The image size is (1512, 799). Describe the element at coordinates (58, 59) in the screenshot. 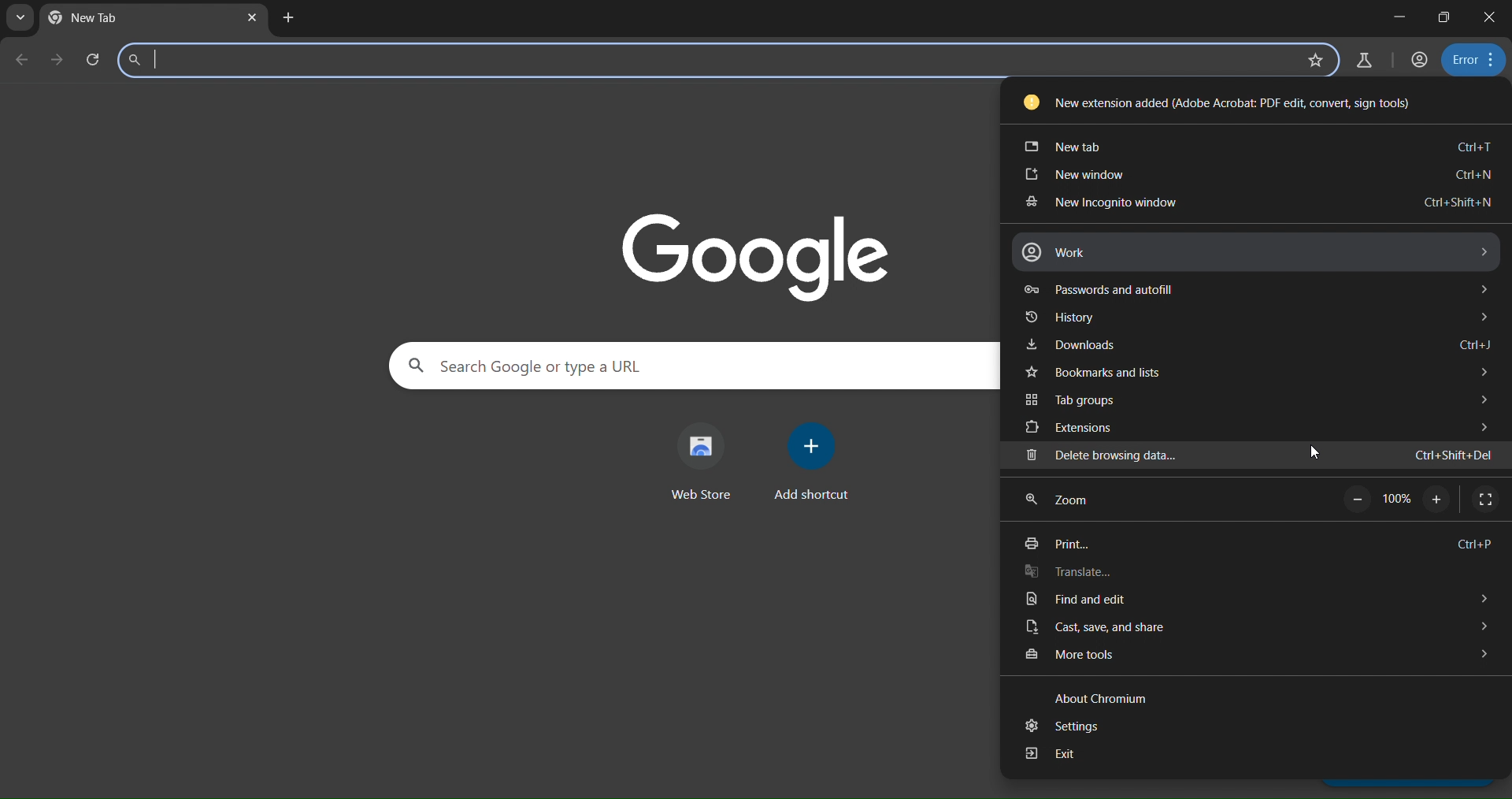

I see `go forward one page` at that location.